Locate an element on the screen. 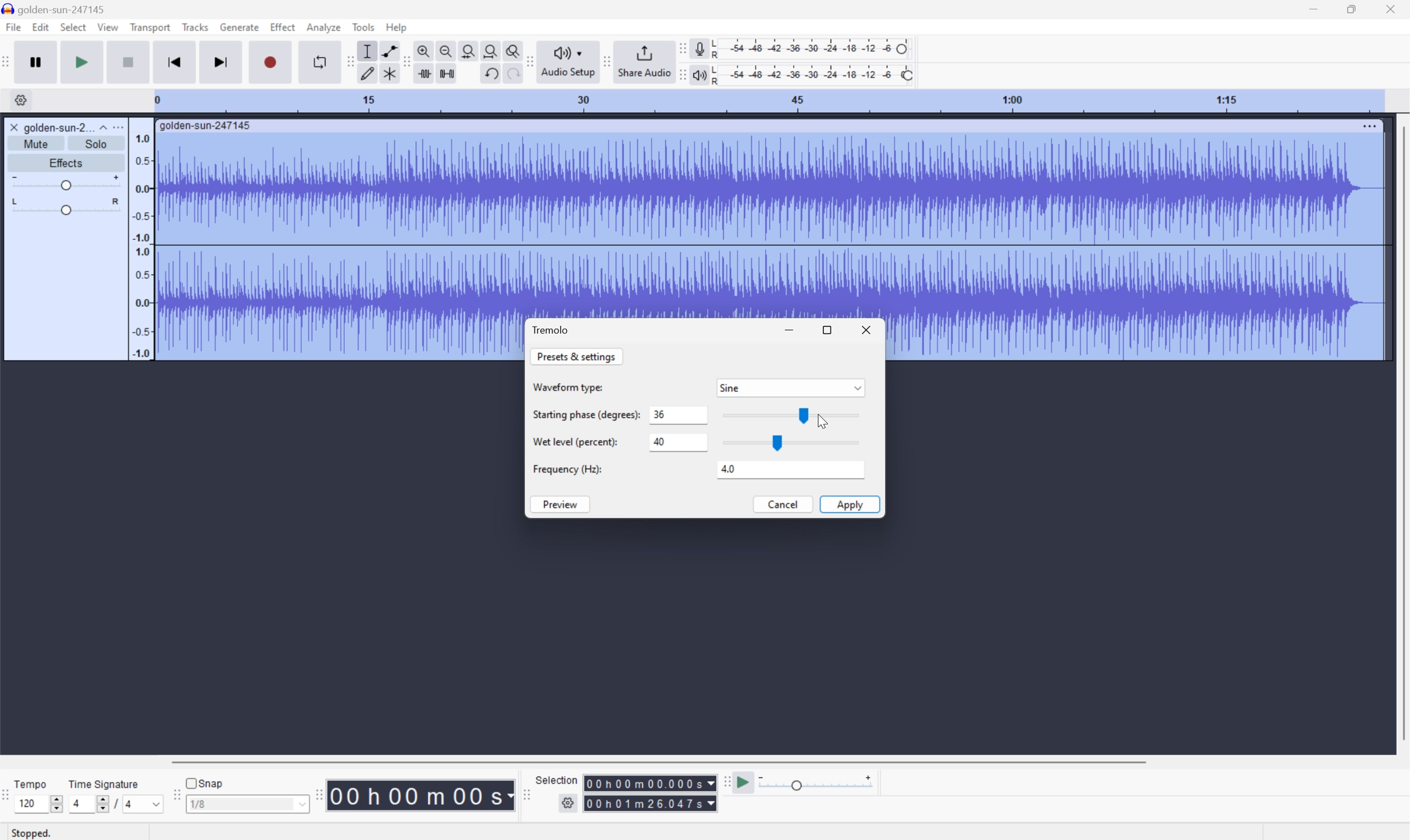  Audacity recording meter toolbar is located at coordinates (680, 48).